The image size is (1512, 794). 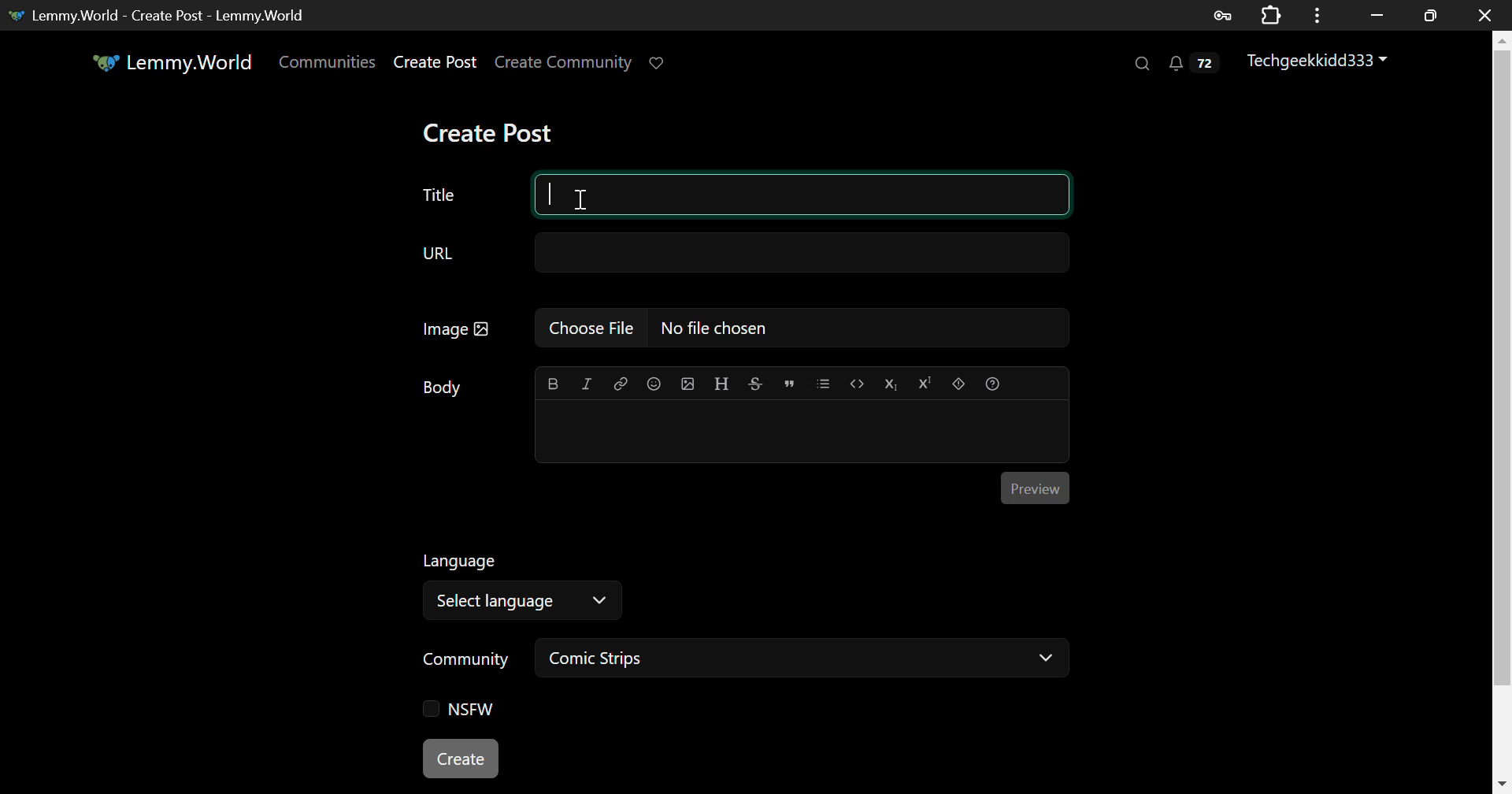 I want to click on Minimize, so click(x=1433, y=15).